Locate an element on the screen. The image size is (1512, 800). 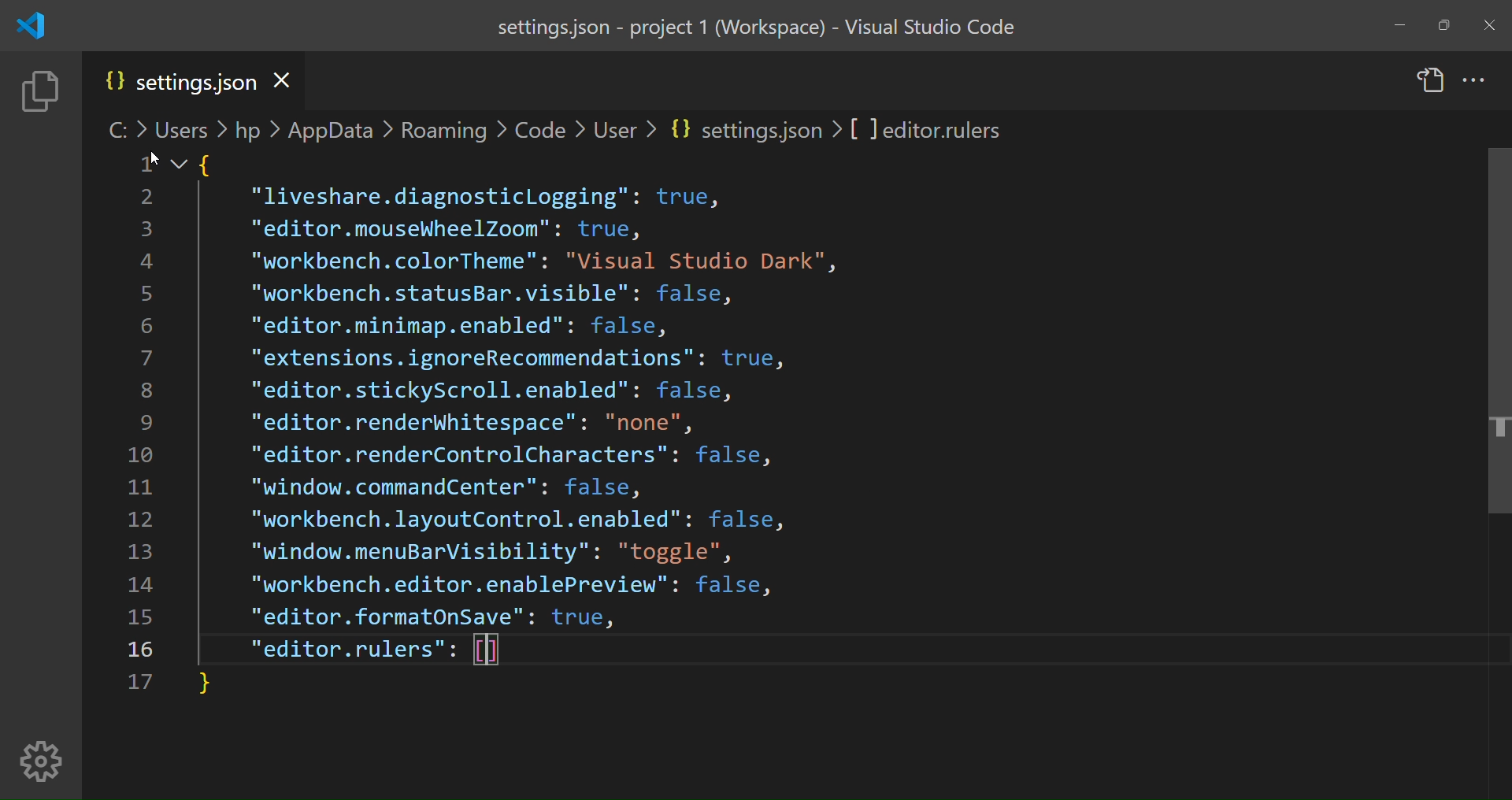
close file is located at coordinates (290, 79).